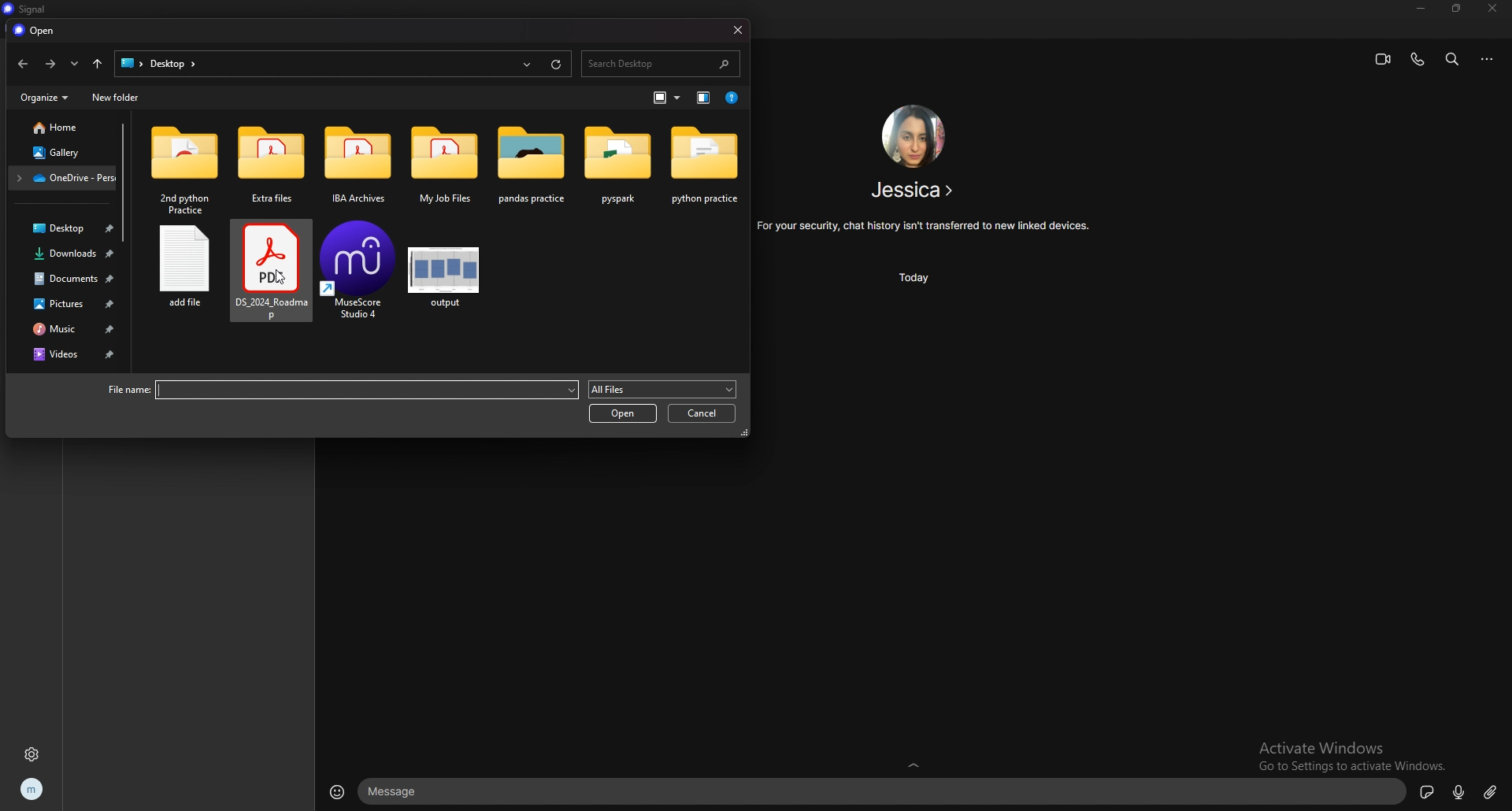  What do you see at coordinates (705, 167) in the screenshot?
I see `folder` at bounding box center [705, 167].